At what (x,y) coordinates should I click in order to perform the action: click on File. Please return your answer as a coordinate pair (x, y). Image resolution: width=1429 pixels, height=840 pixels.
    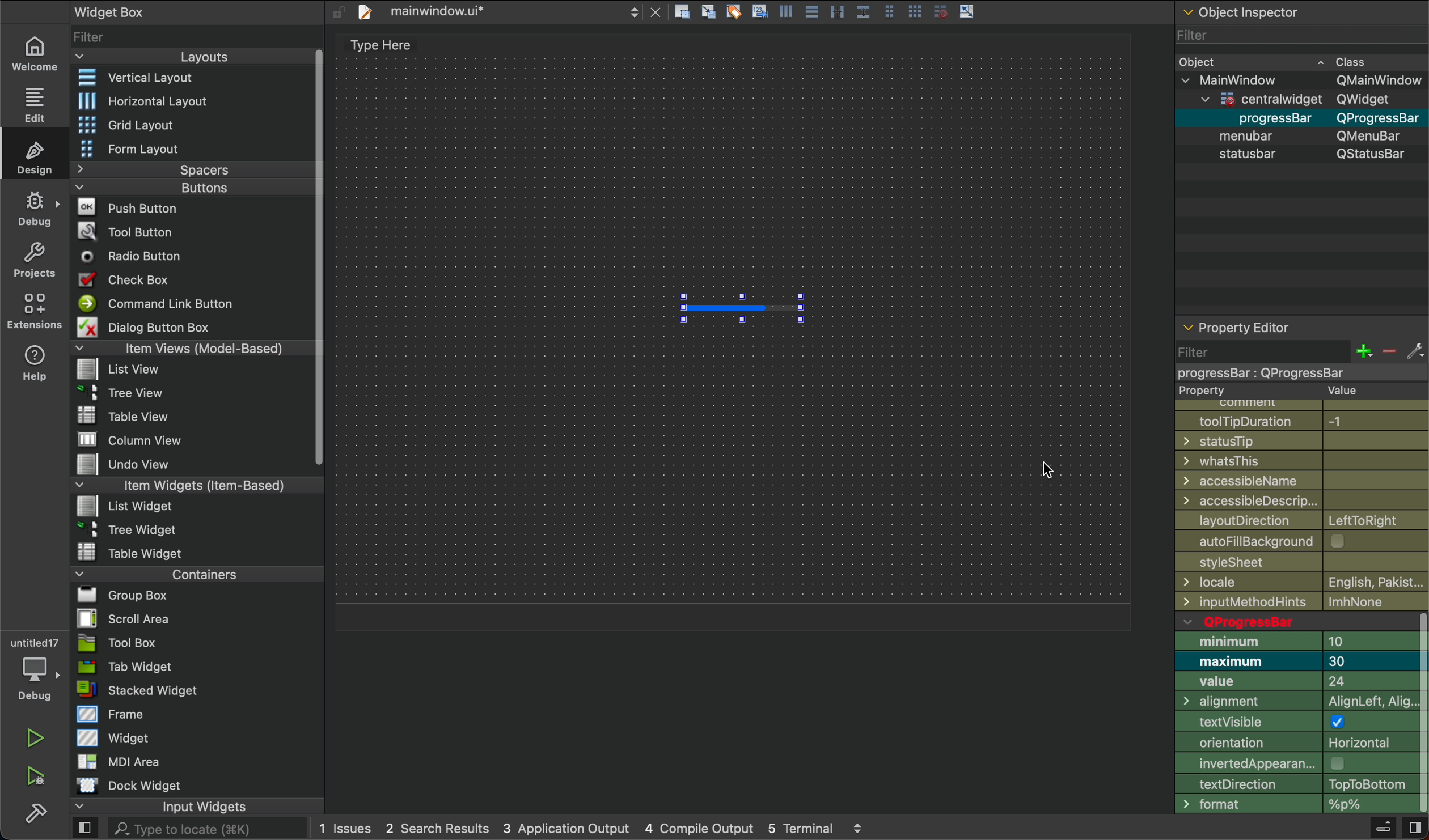
    Looking at the image, I should click on (121, 391).